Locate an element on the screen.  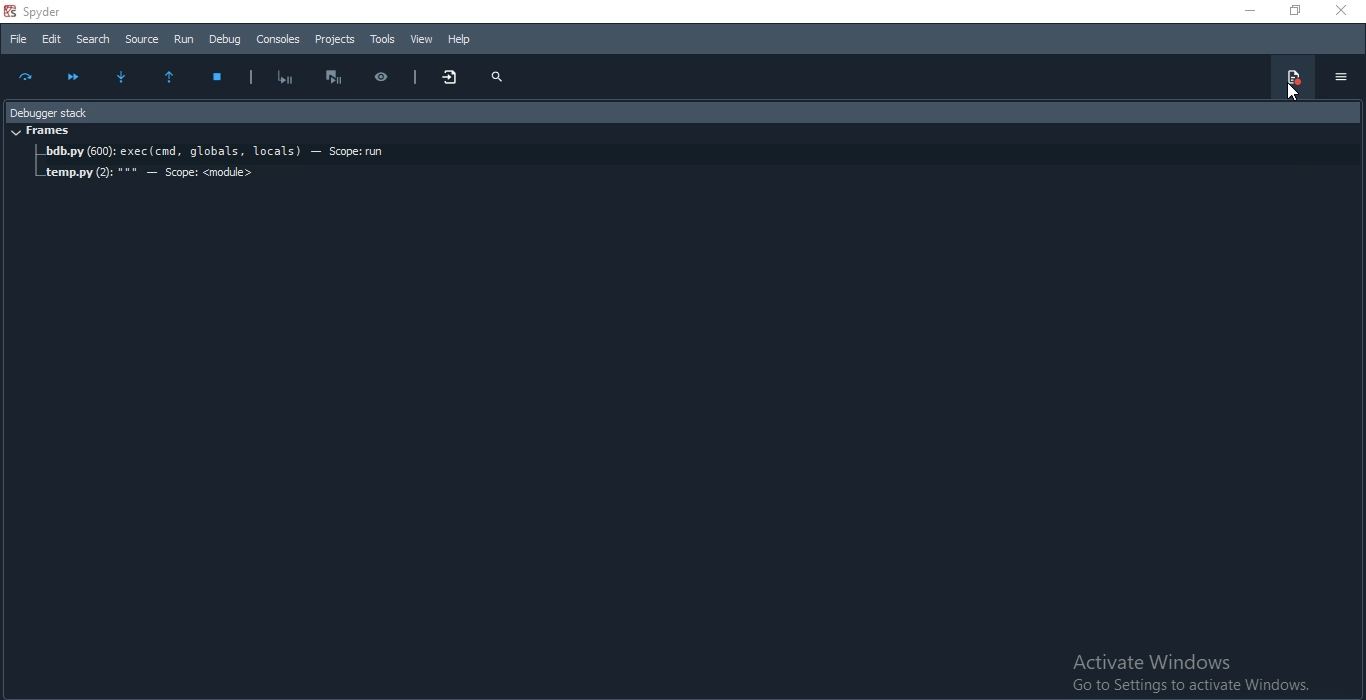
Start debugging after last error is located at coordinates (286, 76).